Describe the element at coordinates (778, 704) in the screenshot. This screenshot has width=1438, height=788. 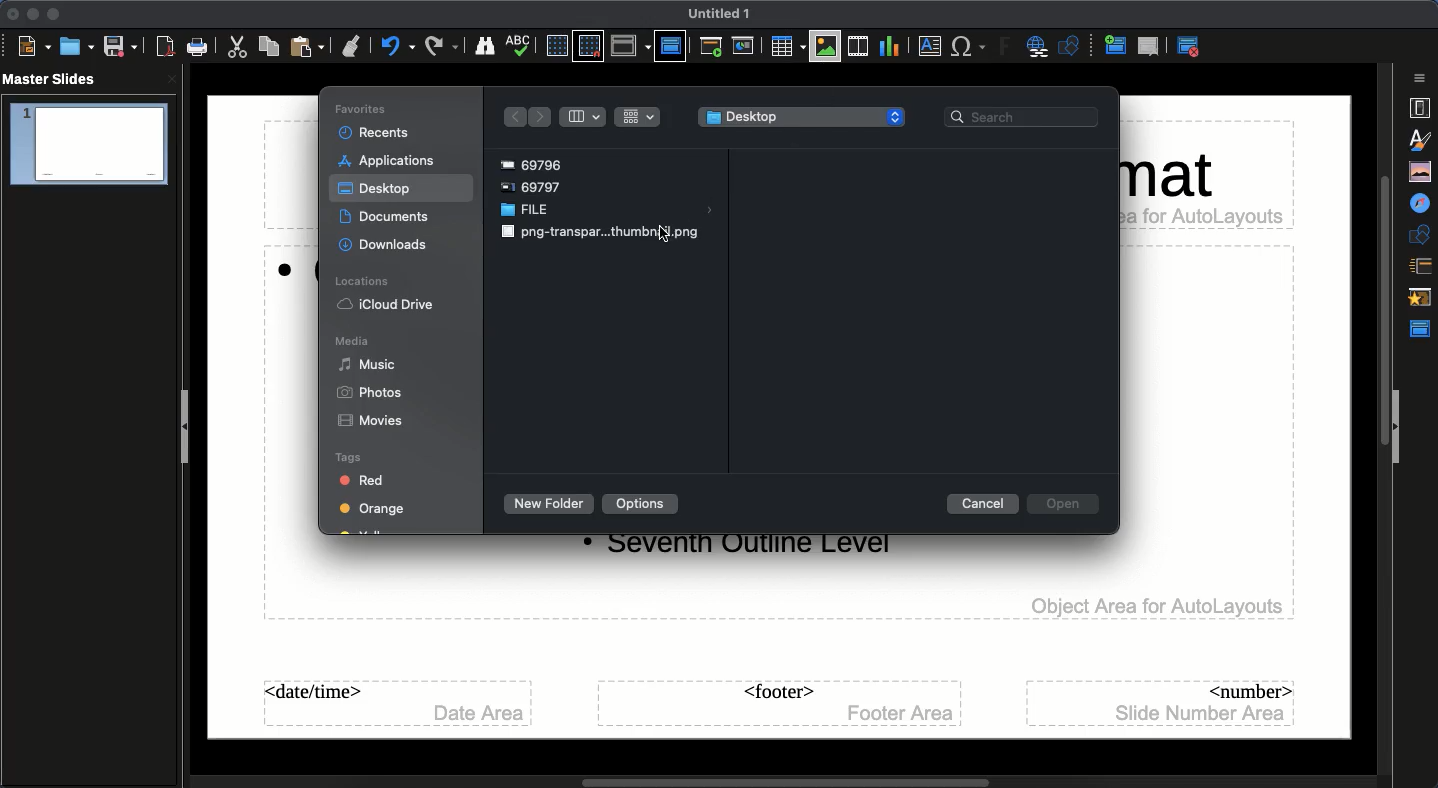
I see `Master slide footer` at that location.